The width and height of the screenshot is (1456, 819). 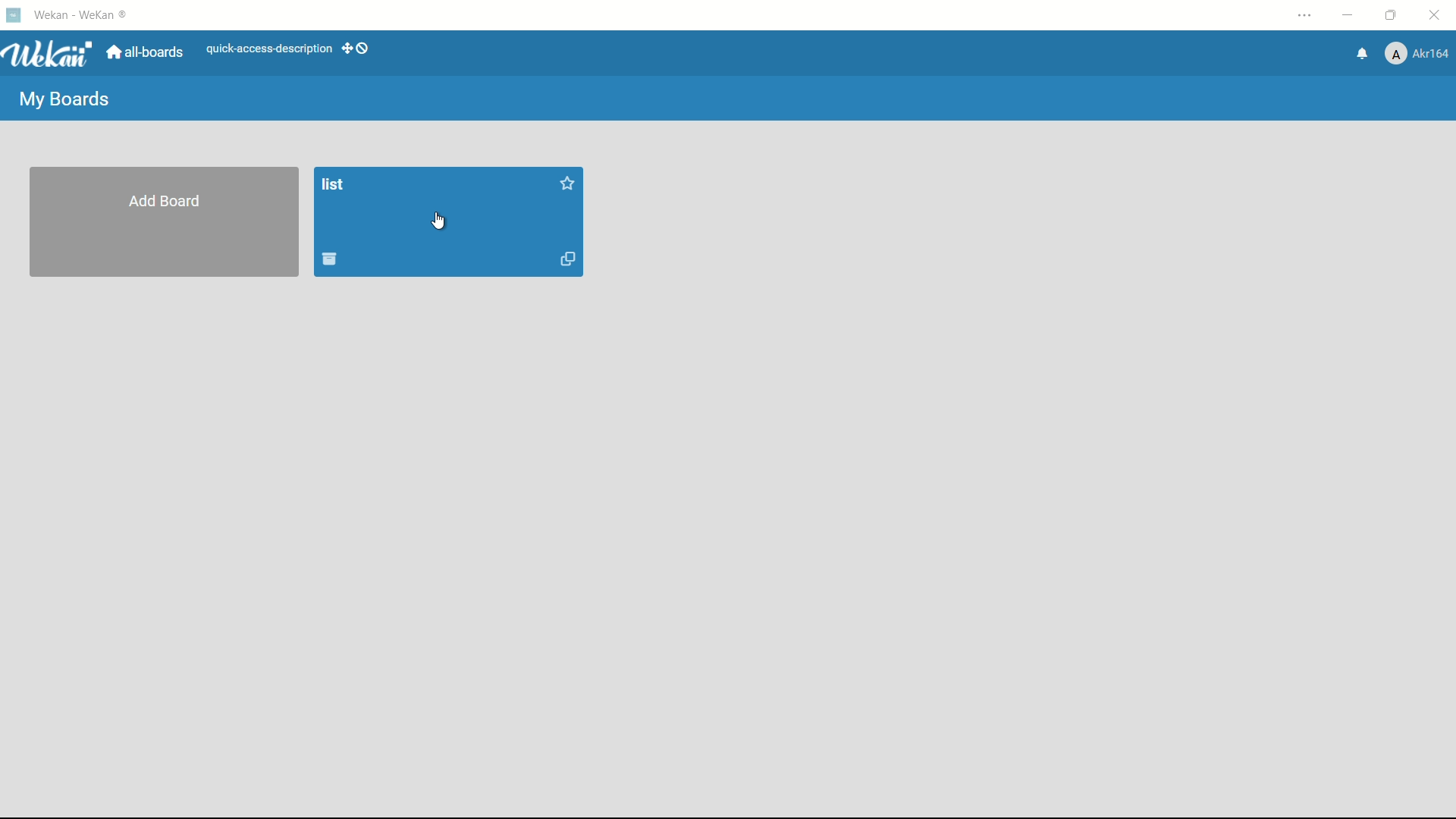 I want to click on duplicate board, so click(x=570, y=261).